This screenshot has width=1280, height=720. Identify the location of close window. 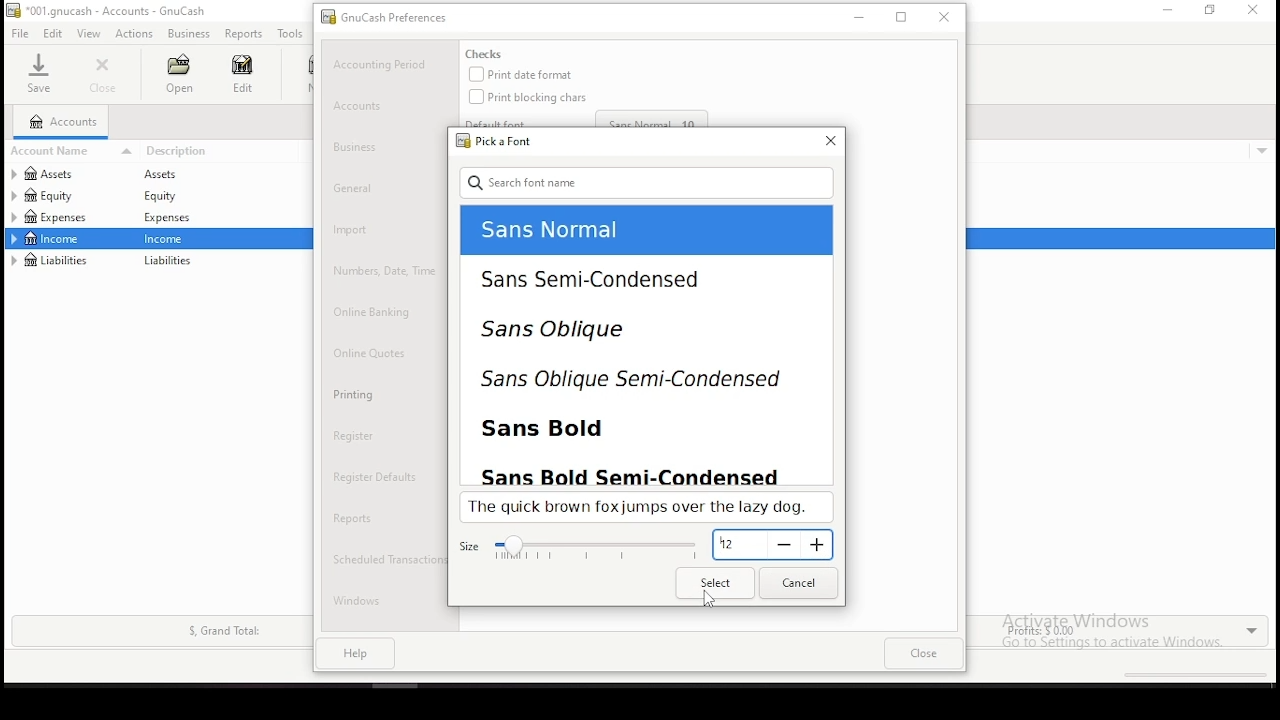
(828, 141).